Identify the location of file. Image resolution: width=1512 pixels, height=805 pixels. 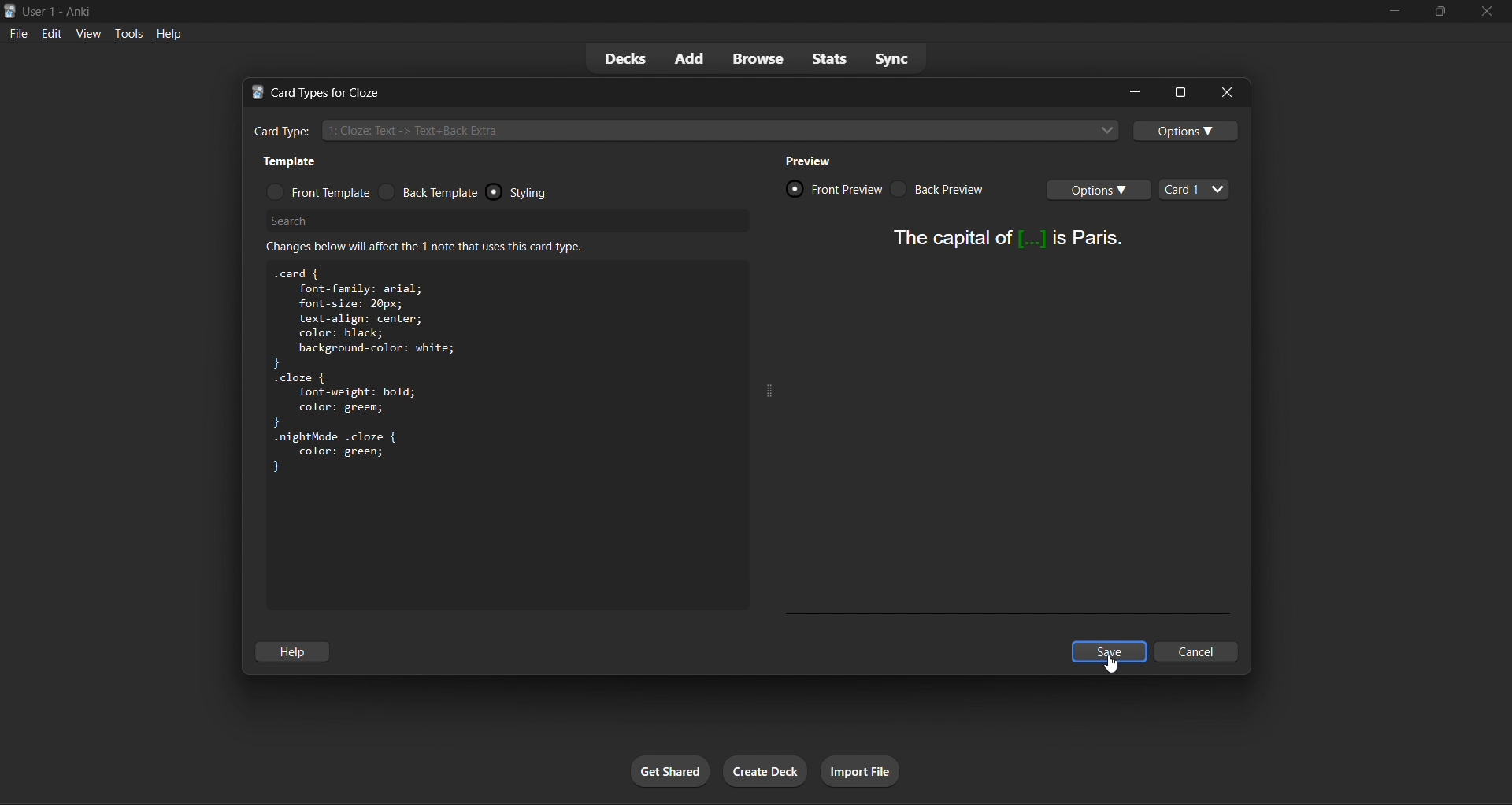
(18, 33).